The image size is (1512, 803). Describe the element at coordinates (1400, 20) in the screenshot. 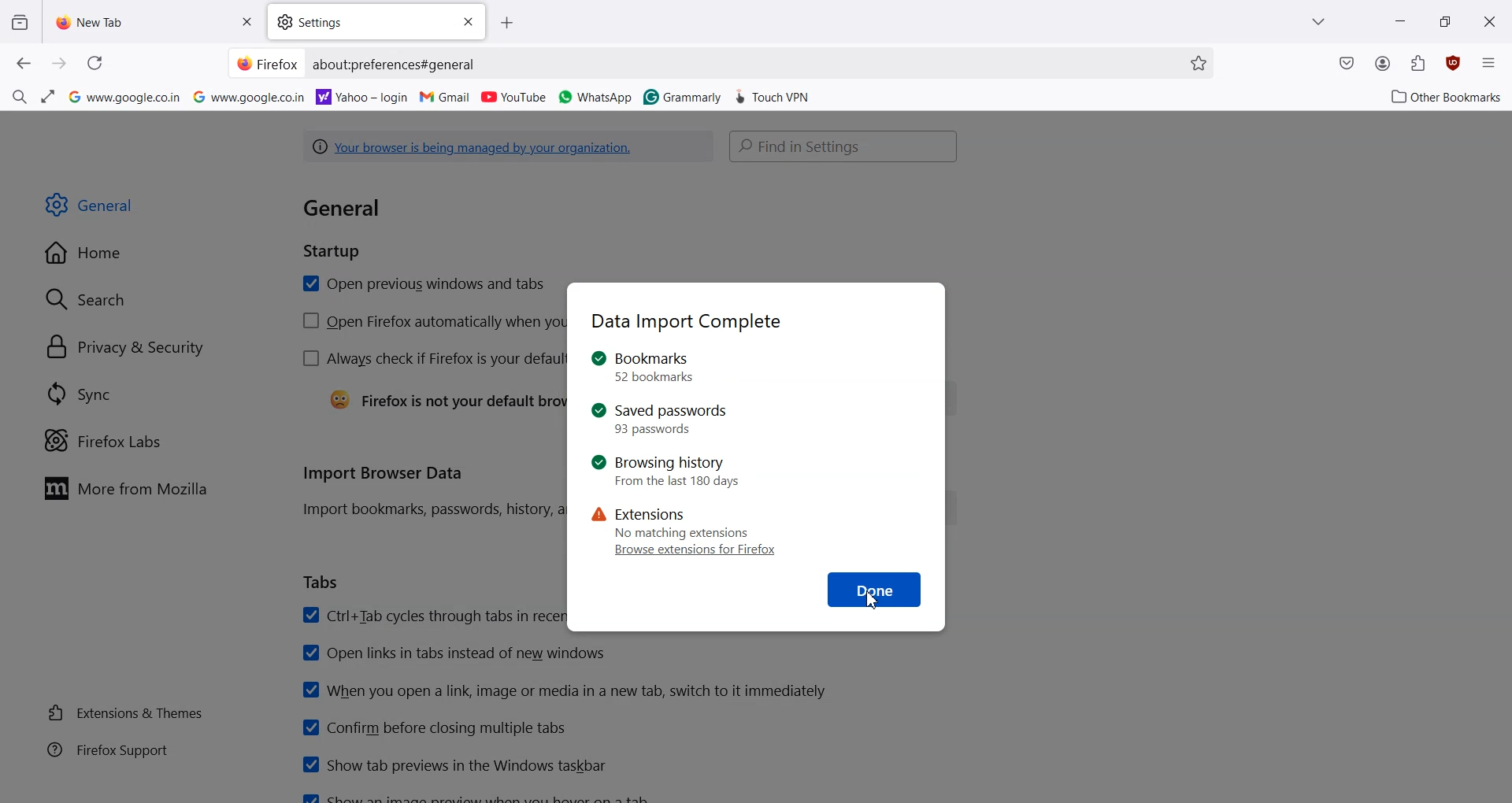

I see `Minimize` at that location.